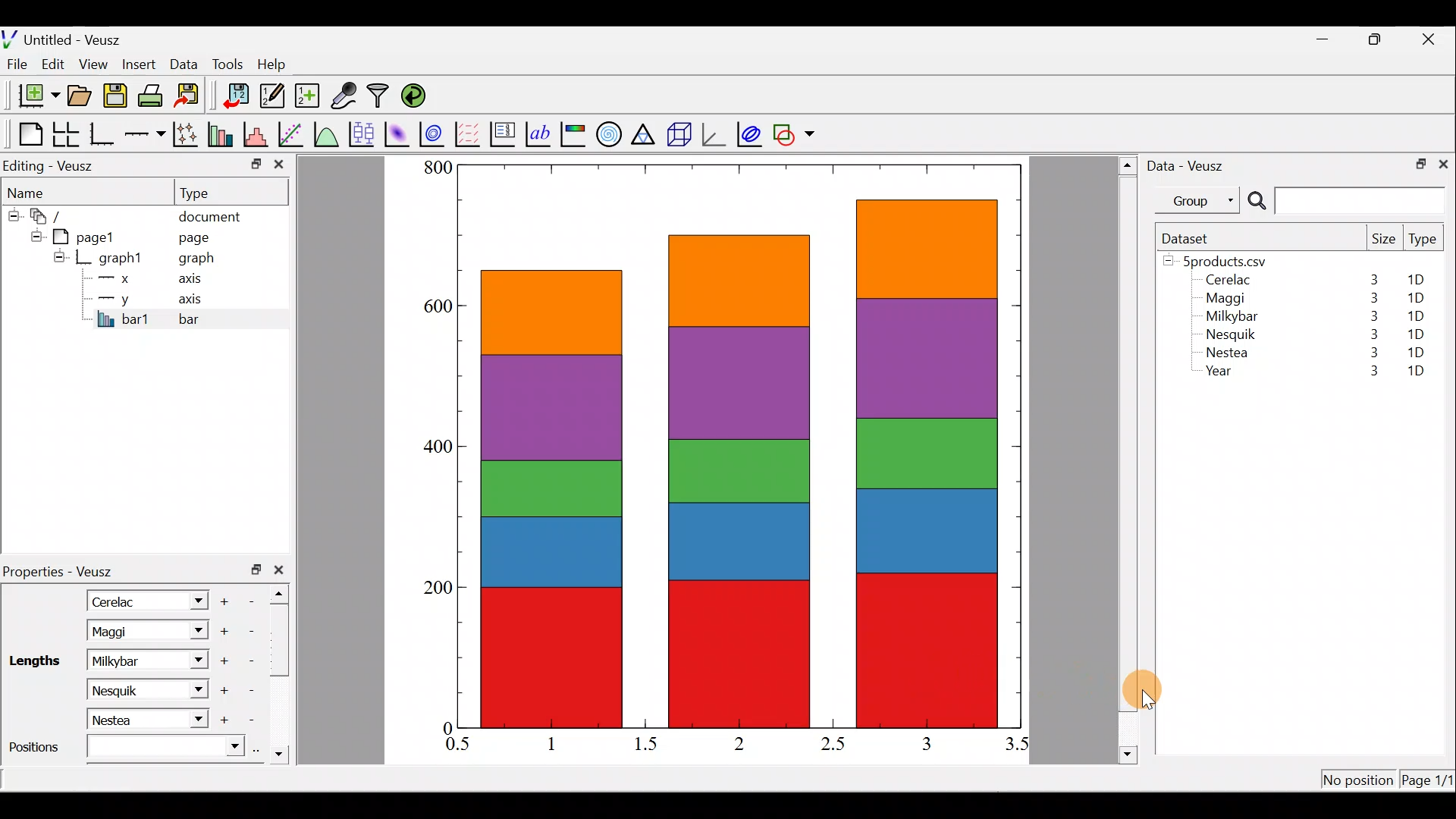  I want to click on Histogram of a dataset, so click(260, 135).